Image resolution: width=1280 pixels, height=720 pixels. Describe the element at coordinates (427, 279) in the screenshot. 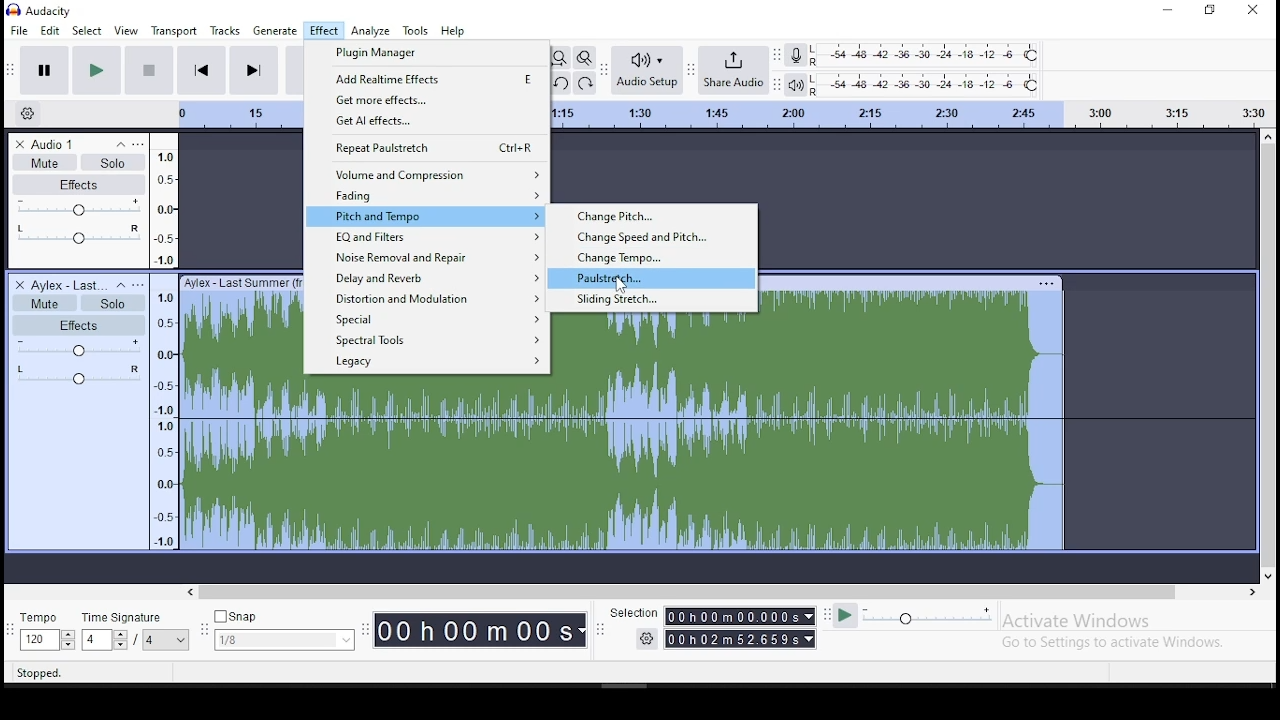

I see `delay and reverb` at that location.